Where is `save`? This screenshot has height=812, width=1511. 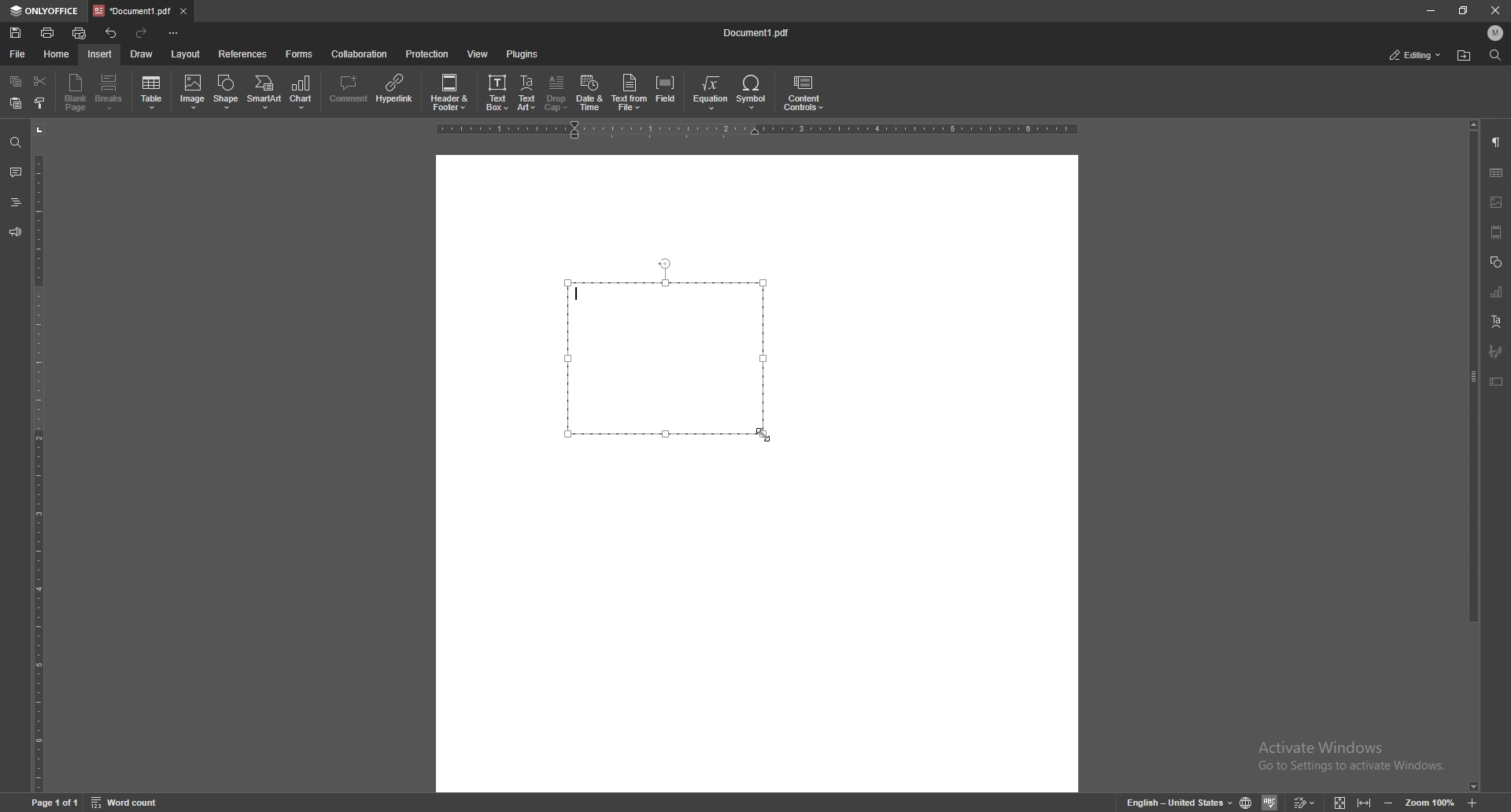 save is located at coordinates (15, 33).